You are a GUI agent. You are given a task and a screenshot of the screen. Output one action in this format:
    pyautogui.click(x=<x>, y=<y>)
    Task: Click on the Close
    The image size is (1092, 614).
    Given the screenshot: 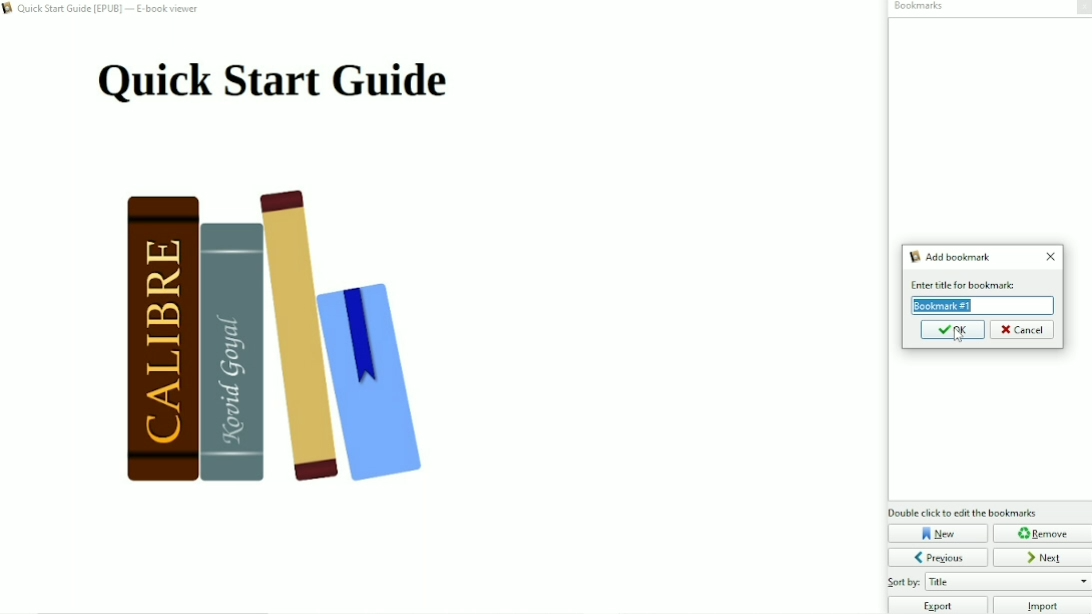 What is the action you would take?
    pyautogui.click(x=1050, y=257)
    